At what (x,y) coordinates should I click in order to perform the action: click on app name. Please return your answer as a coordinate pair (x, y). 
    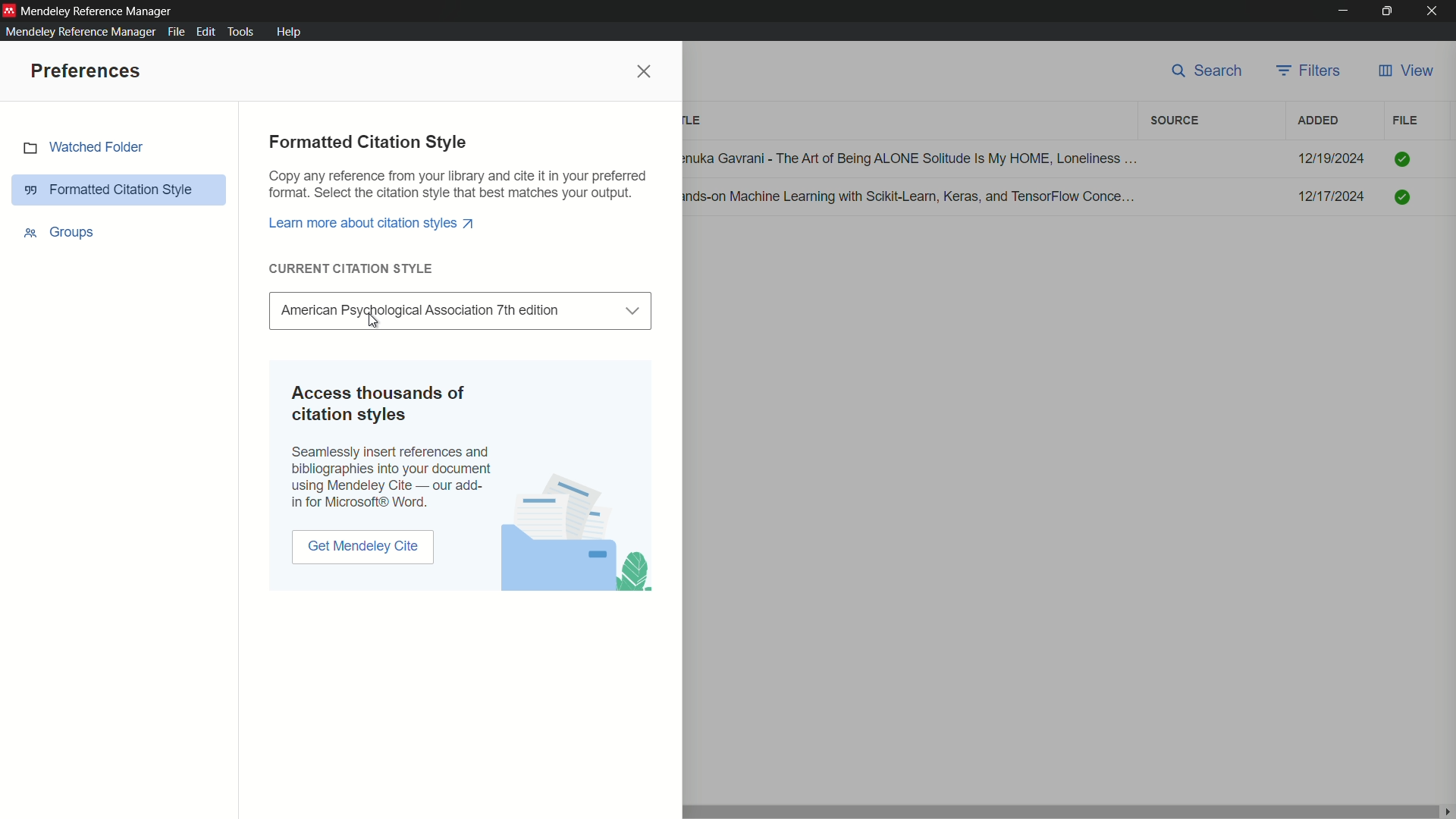
    Looking at the image, I should click on (99, 11).